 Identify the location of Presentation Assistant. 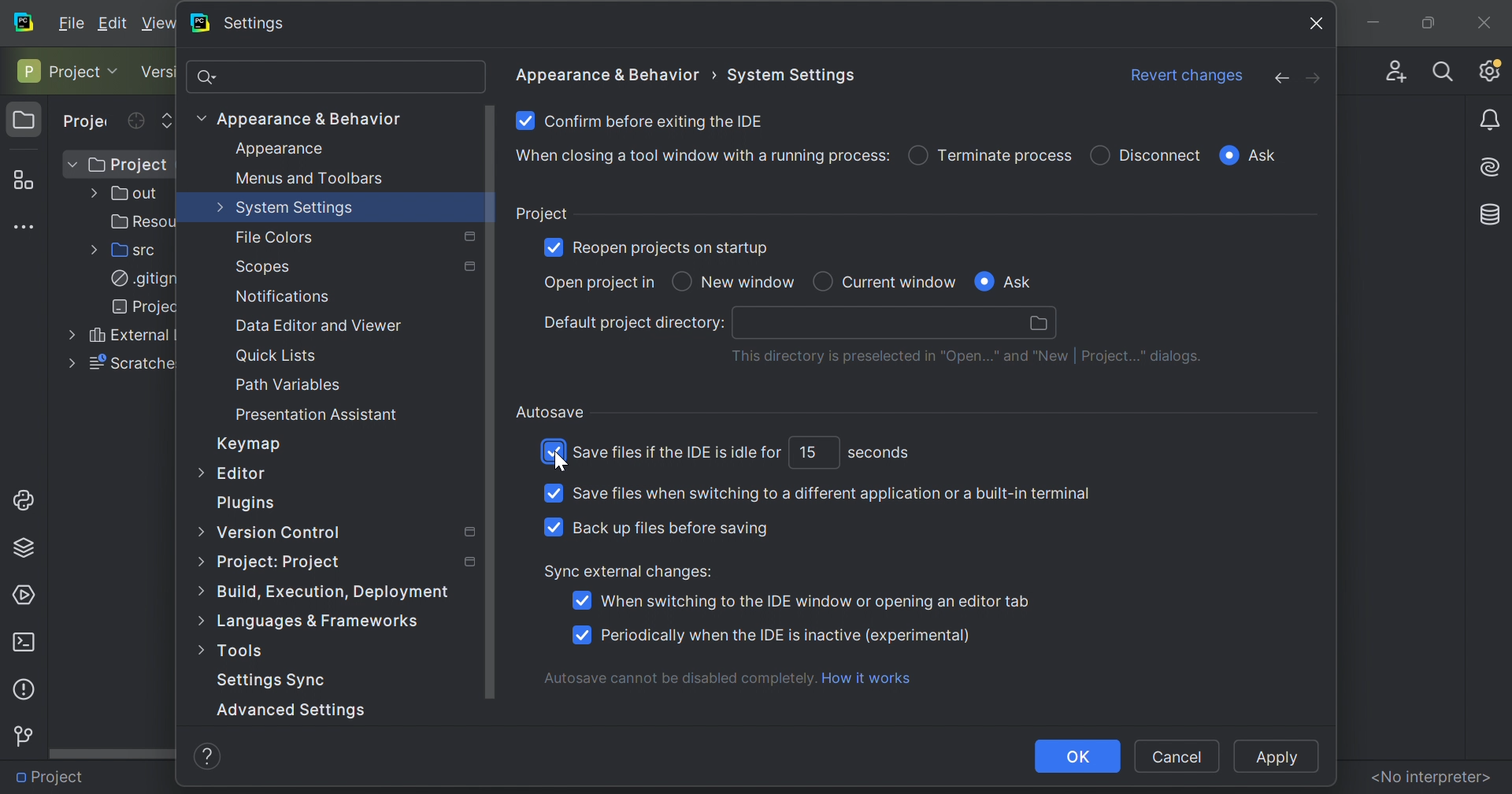
(319, 414).